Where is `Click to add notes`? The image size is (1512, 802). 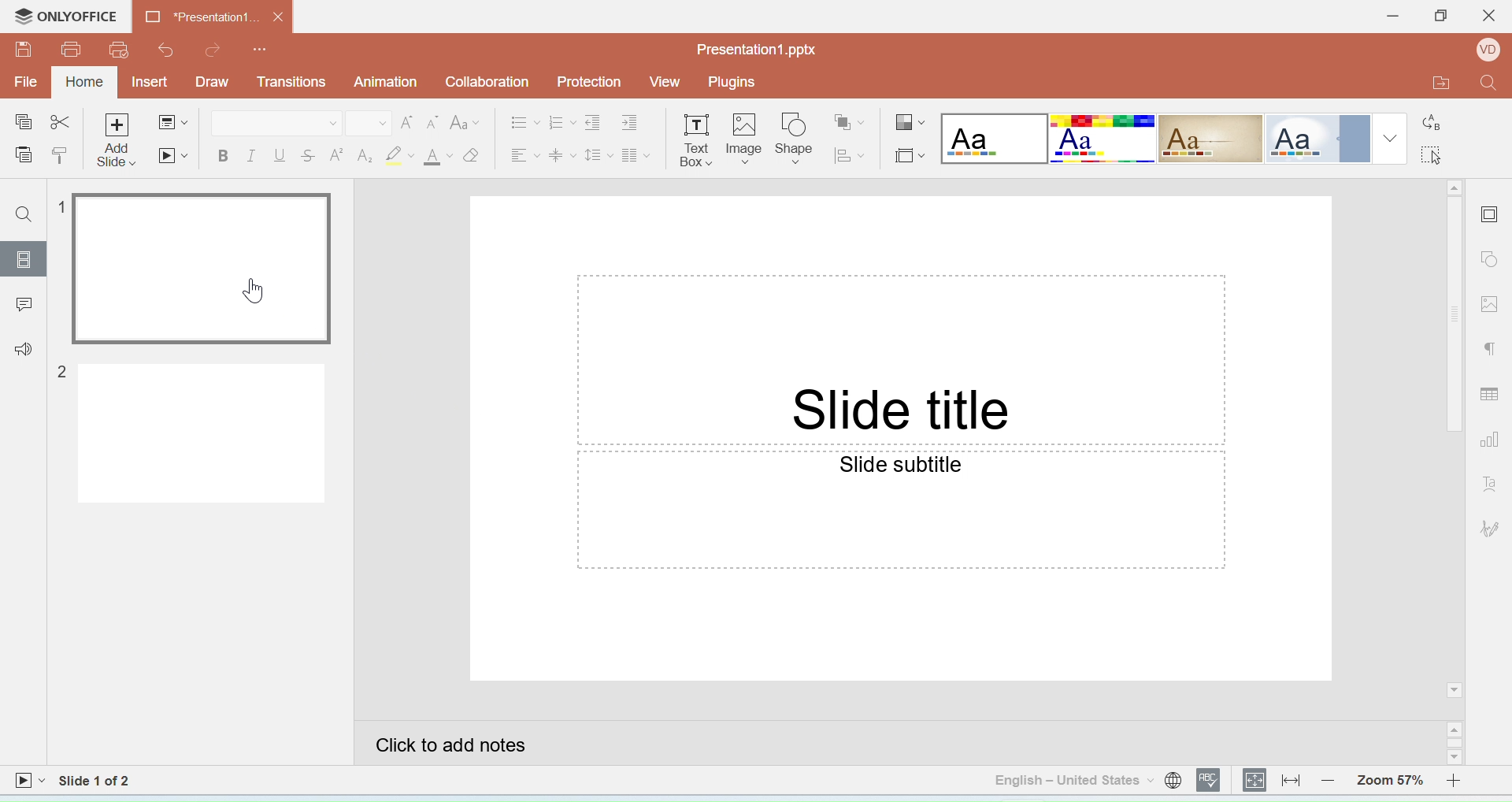
Click to add notes is located at coordinates (900, 743).